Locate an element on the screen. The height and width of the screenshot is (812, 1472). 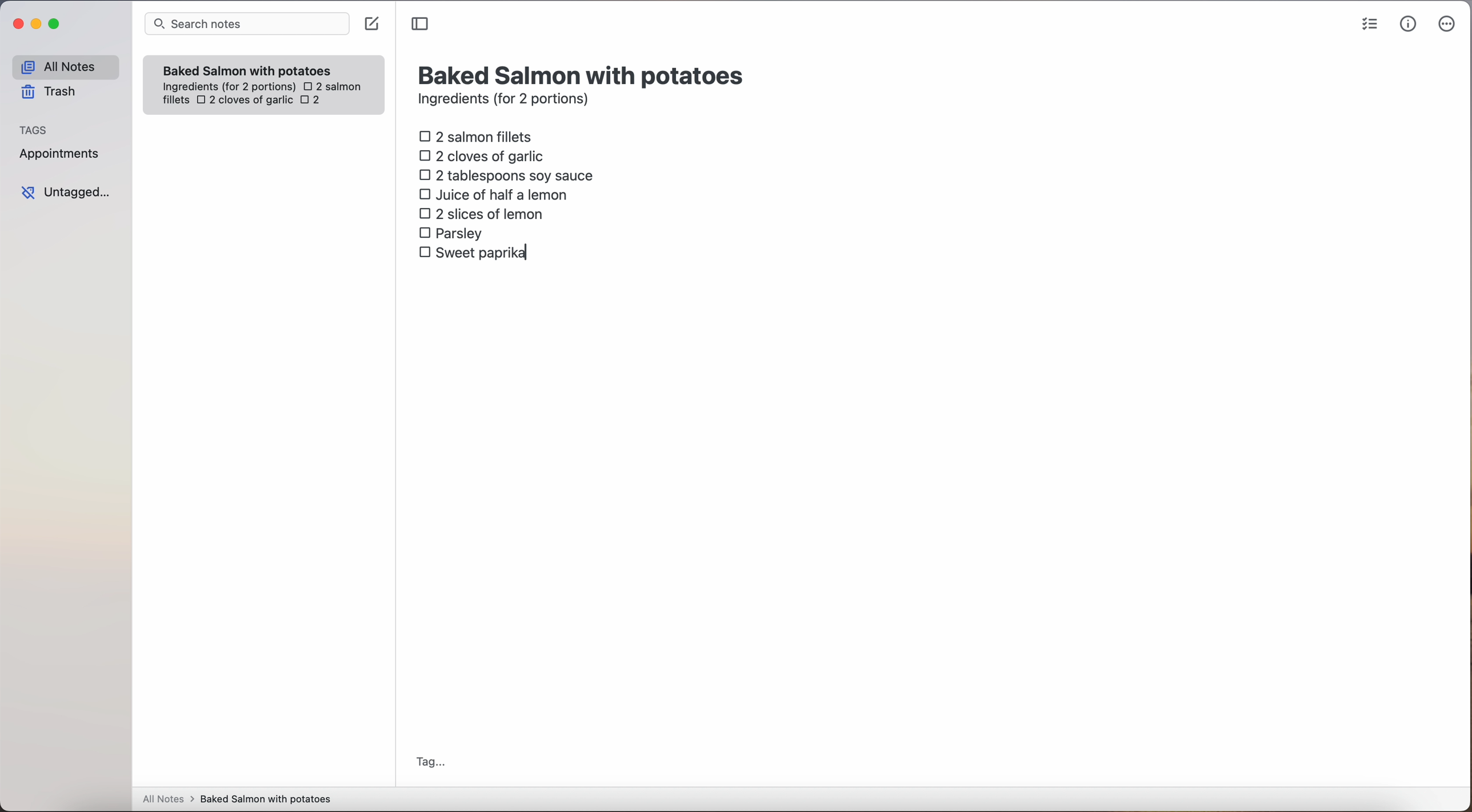
appointments tag is located at coordinates (61, 151).